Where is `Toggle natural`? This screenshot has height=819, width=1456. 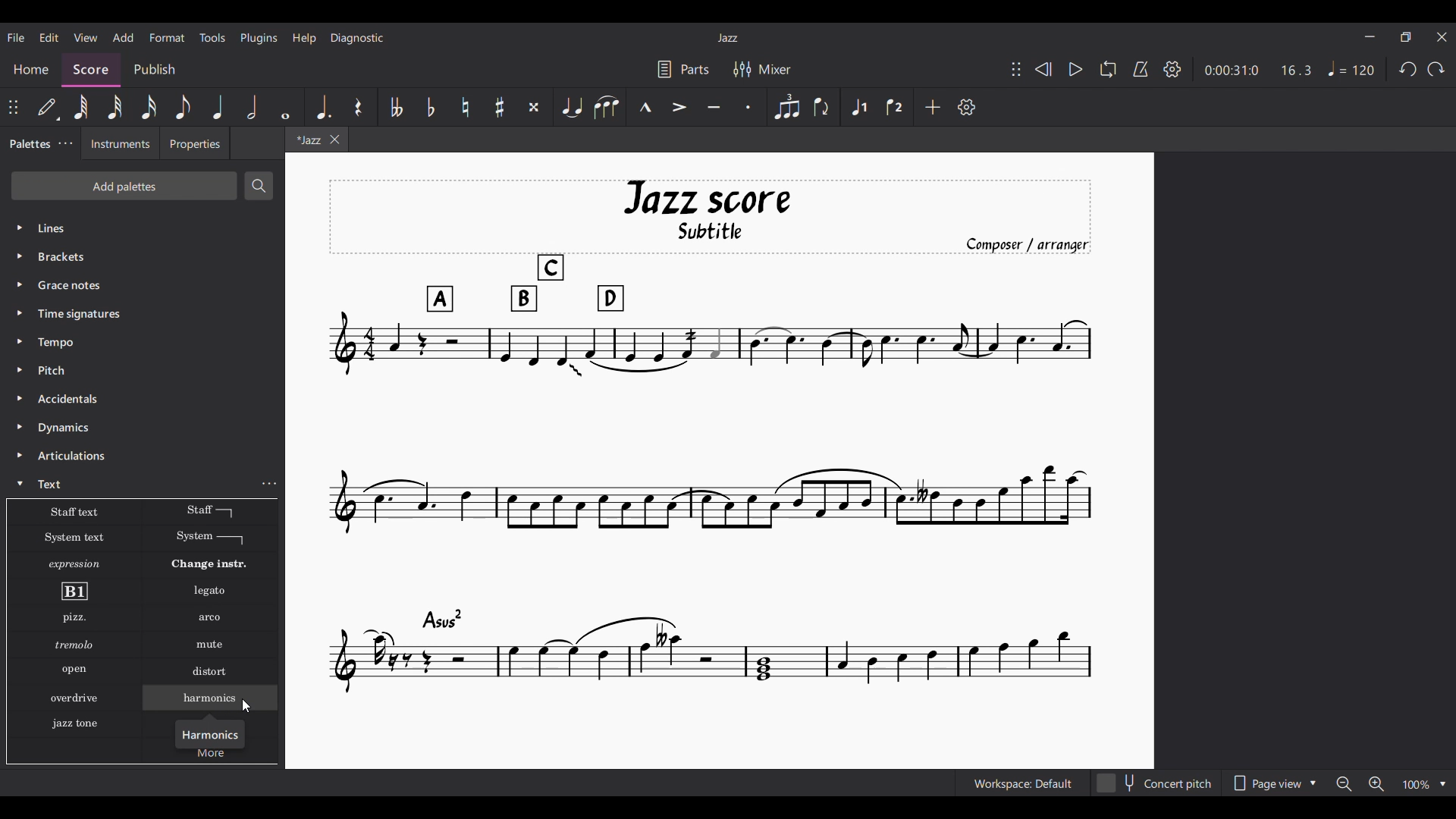 Toggle natural is located at coordinates (466, 107).